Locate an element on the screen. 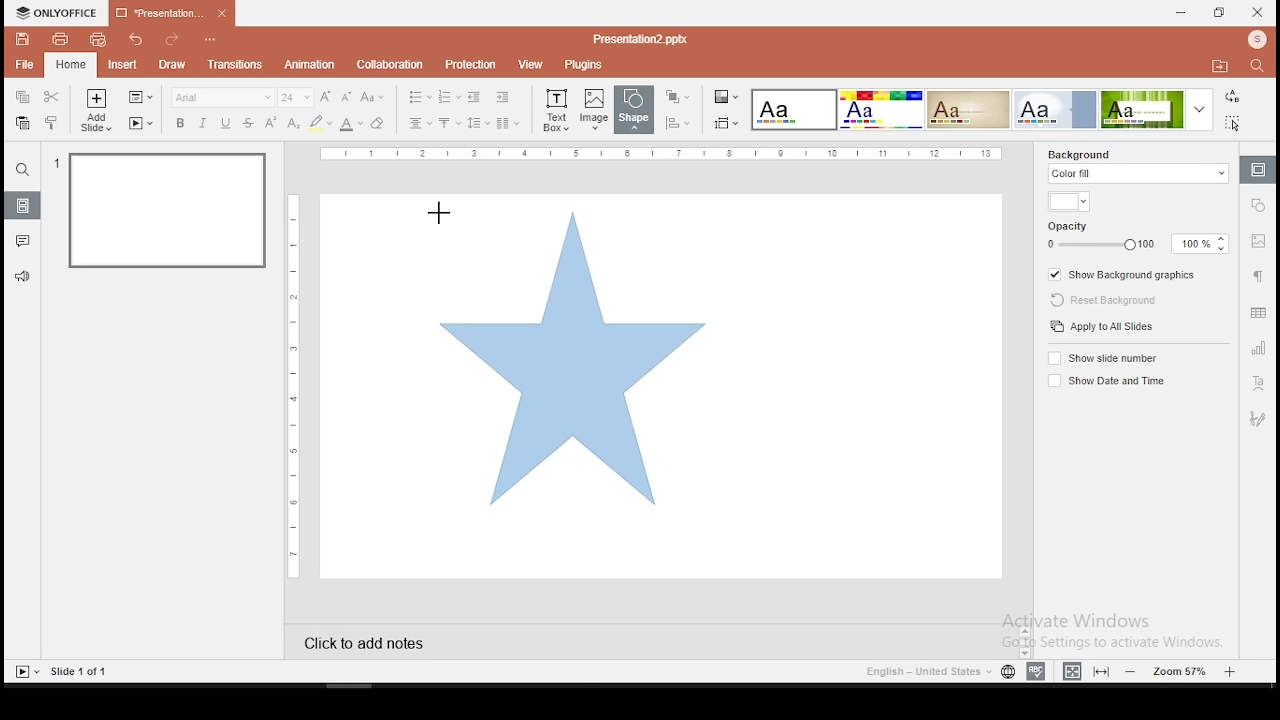 This screenshot has width=1280, height=720. select color theme is located at coordinates (727, 98).